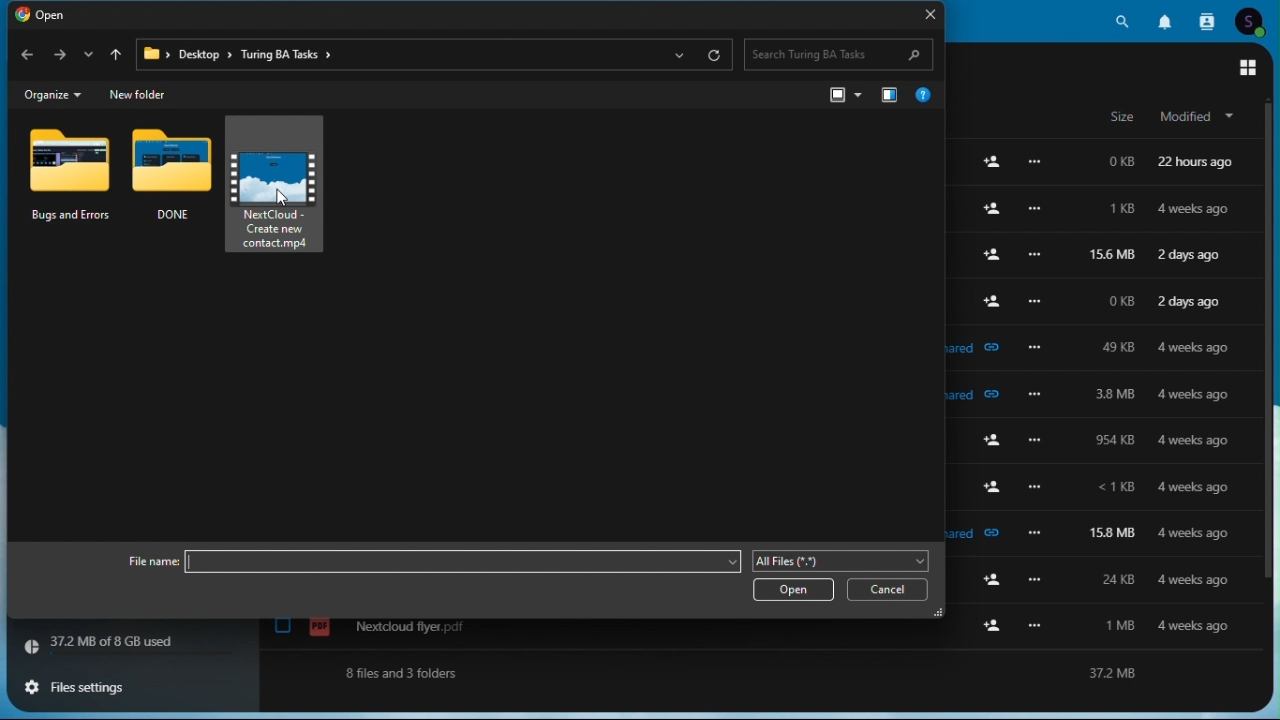 The width and height of the screenshot is (1280, 720). I want to click on check box, so click(283, 625).